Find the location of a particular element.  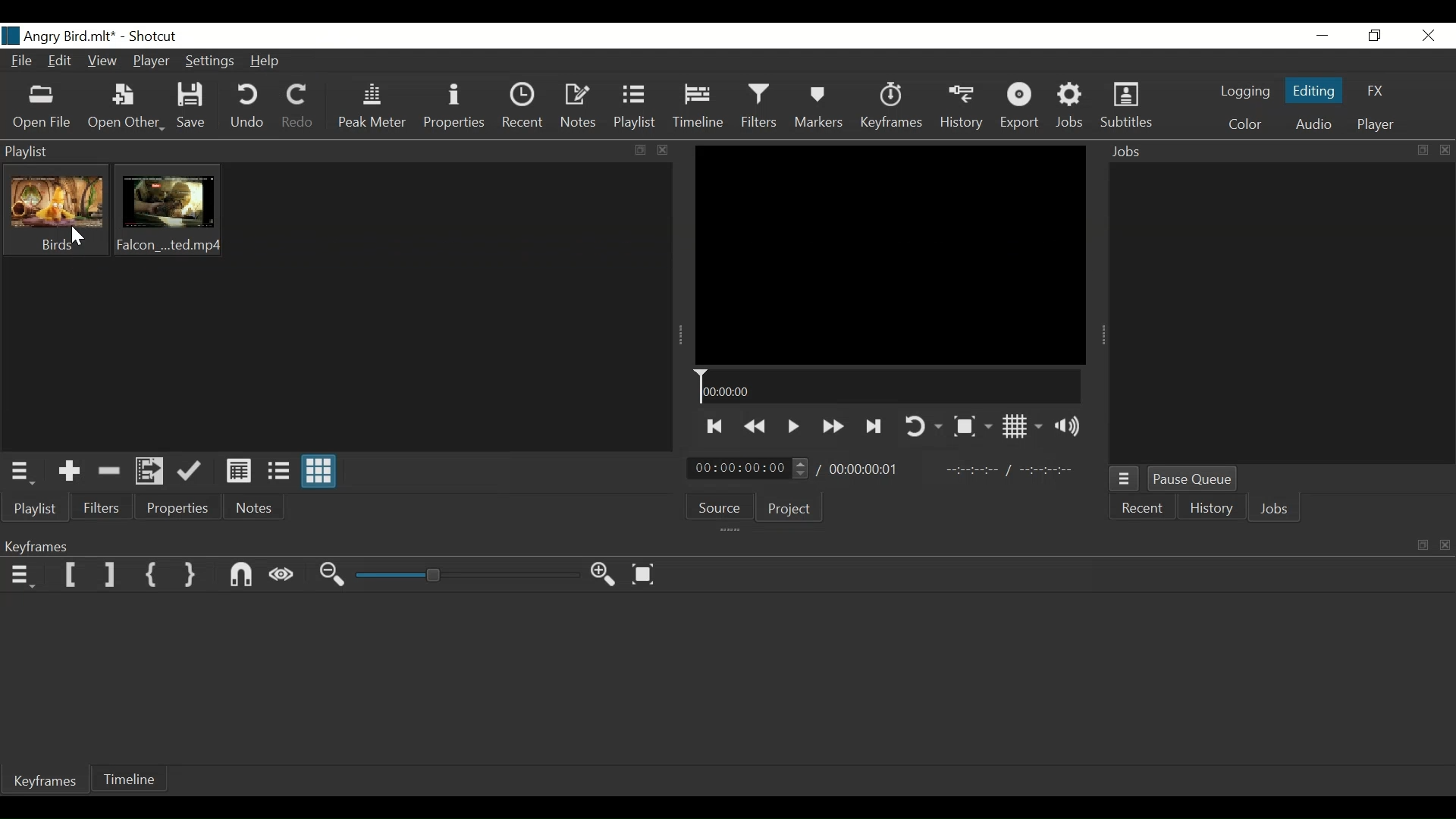

History is located at coordinates (1213, 509).